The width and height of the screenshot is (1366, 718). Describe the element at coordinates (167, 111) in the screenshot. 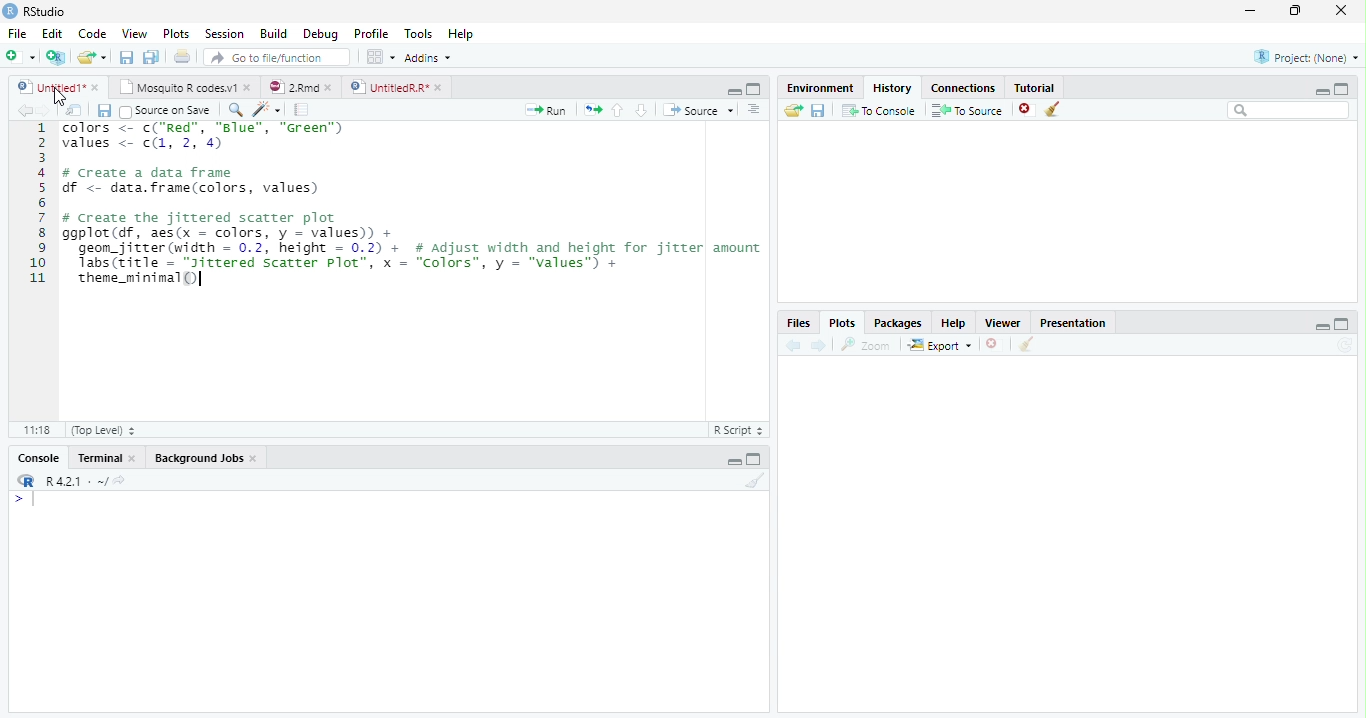

I see `Source on Save` at that location.